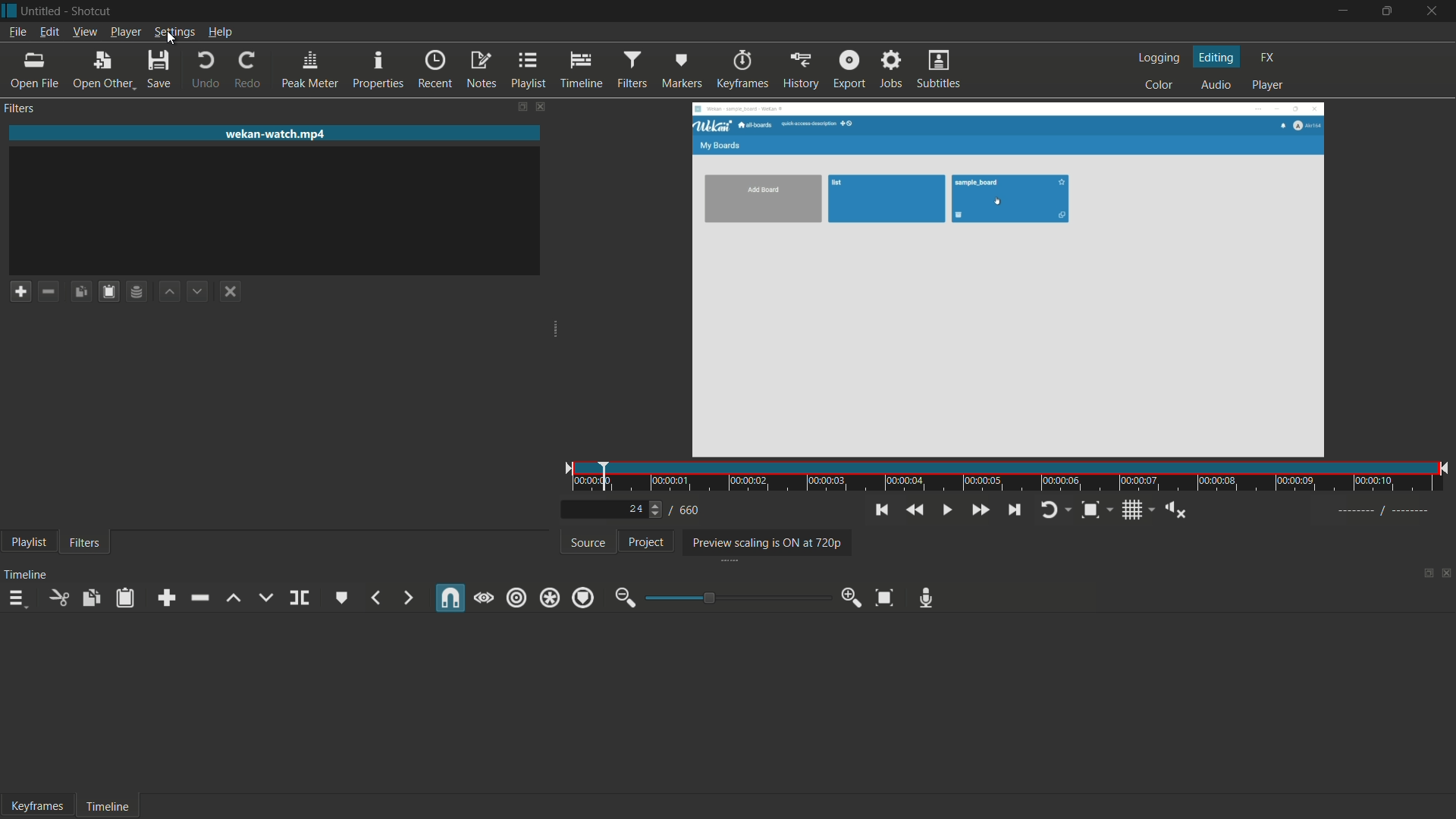 The height and width of the screenshot is (819, 1456). Describe the element at coordinates (948, 510) in the screenshot. I see `toggle play or pause` at that location.